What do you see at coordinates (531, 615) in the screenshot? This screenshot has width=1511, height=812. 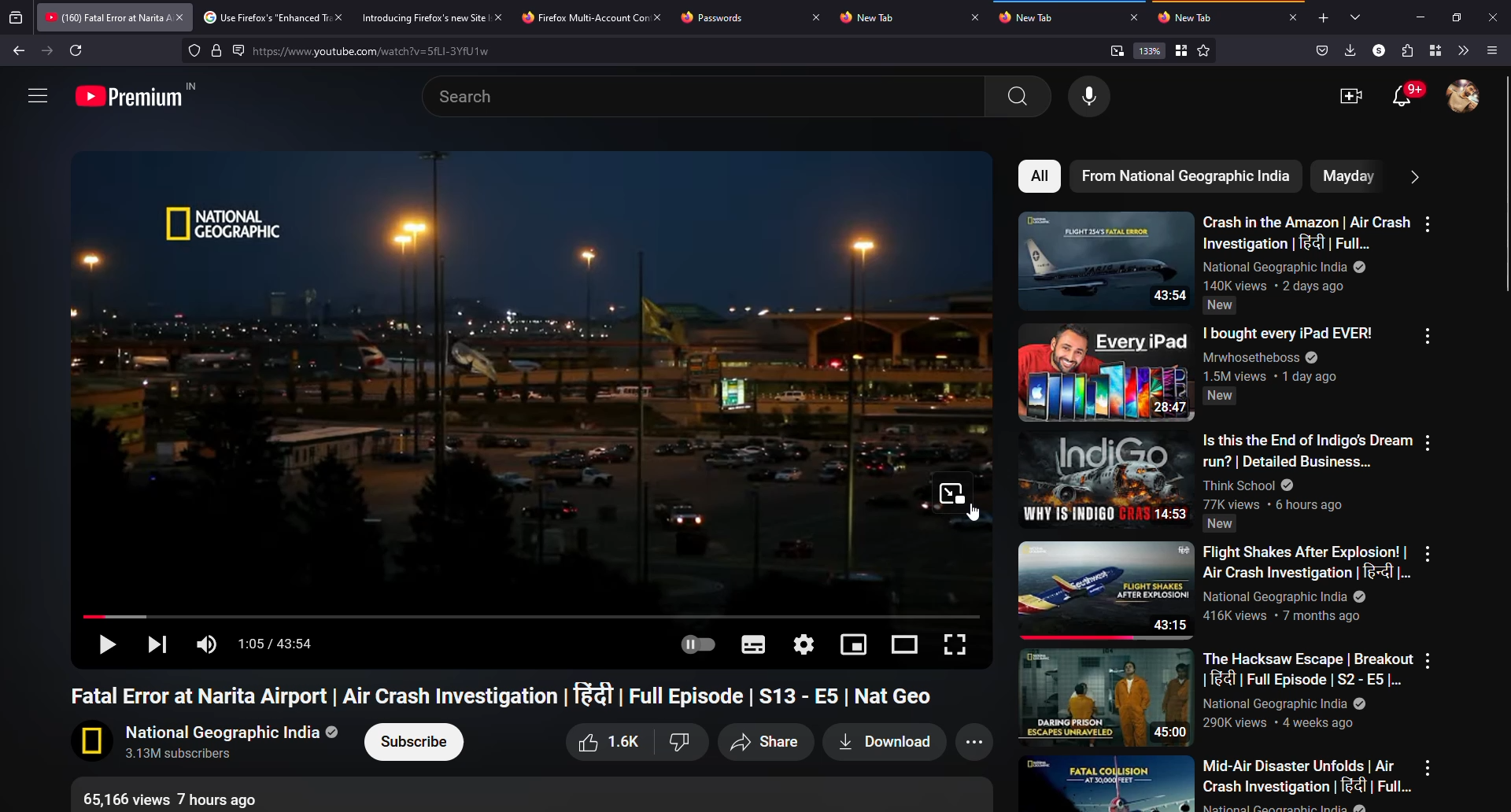 I see `move` at bounding box center [531, 615].